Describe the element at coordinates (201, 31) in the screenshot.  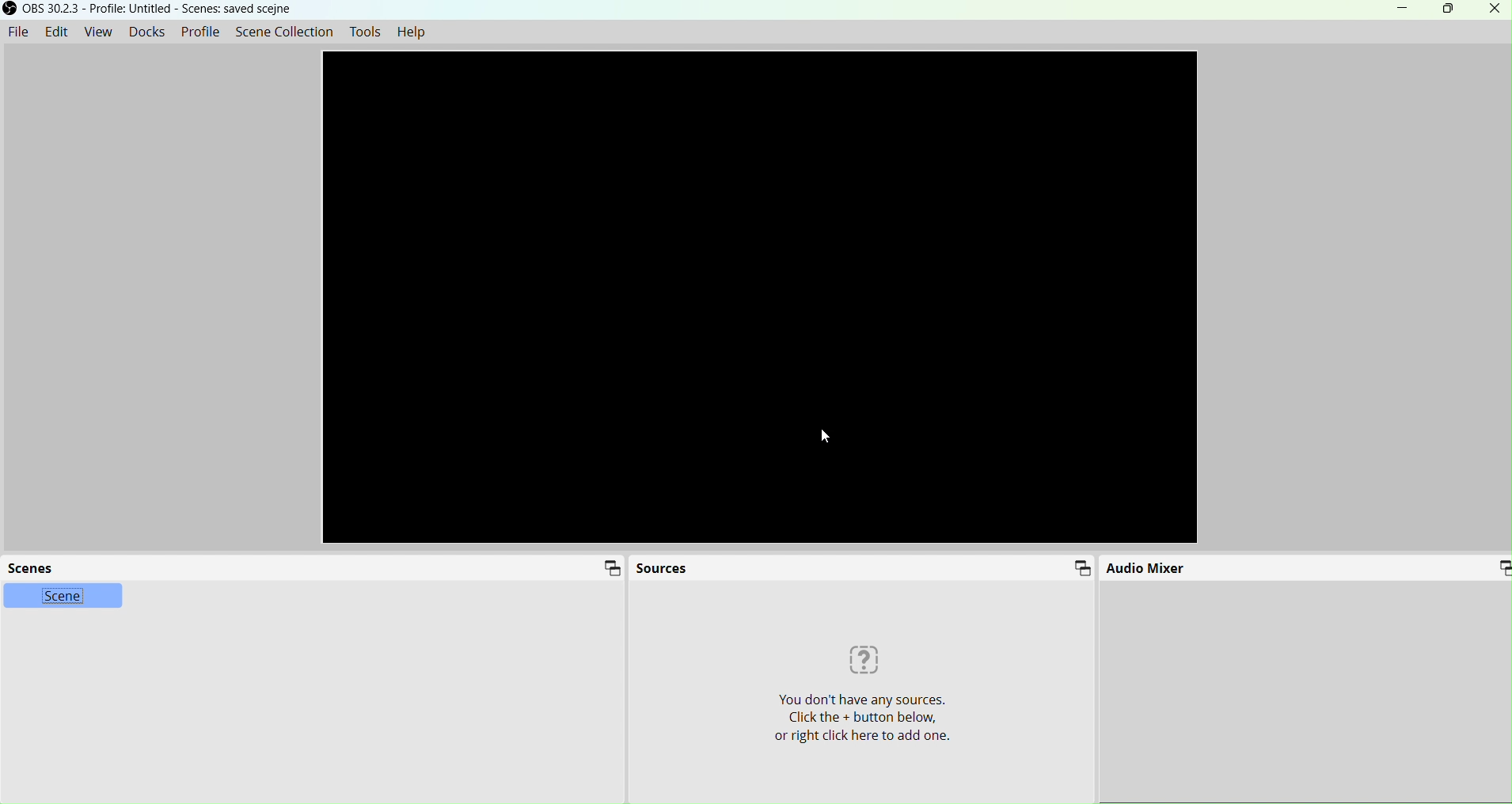
I see `Profile` at that location.